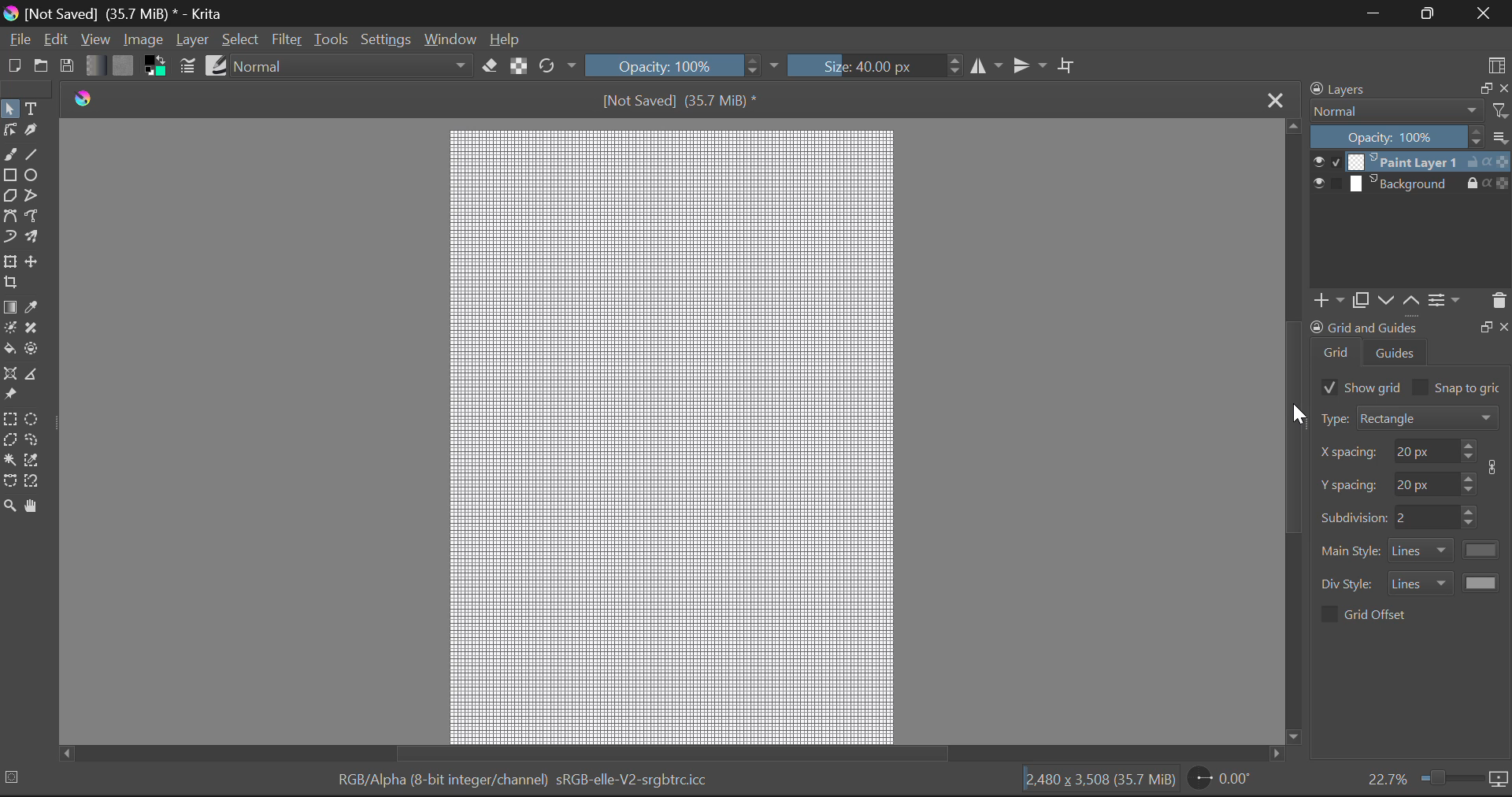  What do you see at coordinates (676, 755) in the screenshot?
I see `Scroll Bar` at bounding box center [676, 755].